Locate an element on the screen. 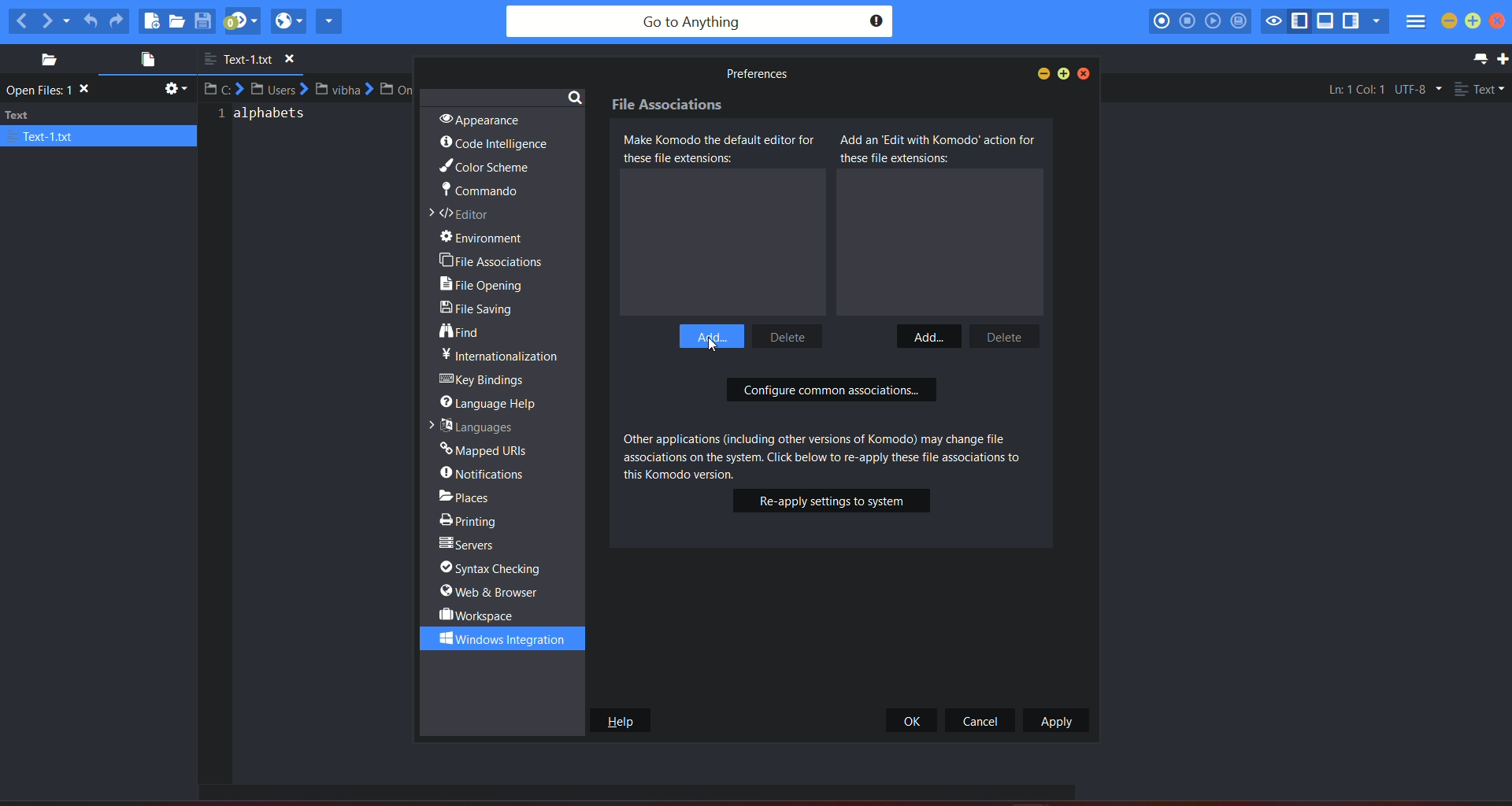  languages is located at coordinates (469, 425).